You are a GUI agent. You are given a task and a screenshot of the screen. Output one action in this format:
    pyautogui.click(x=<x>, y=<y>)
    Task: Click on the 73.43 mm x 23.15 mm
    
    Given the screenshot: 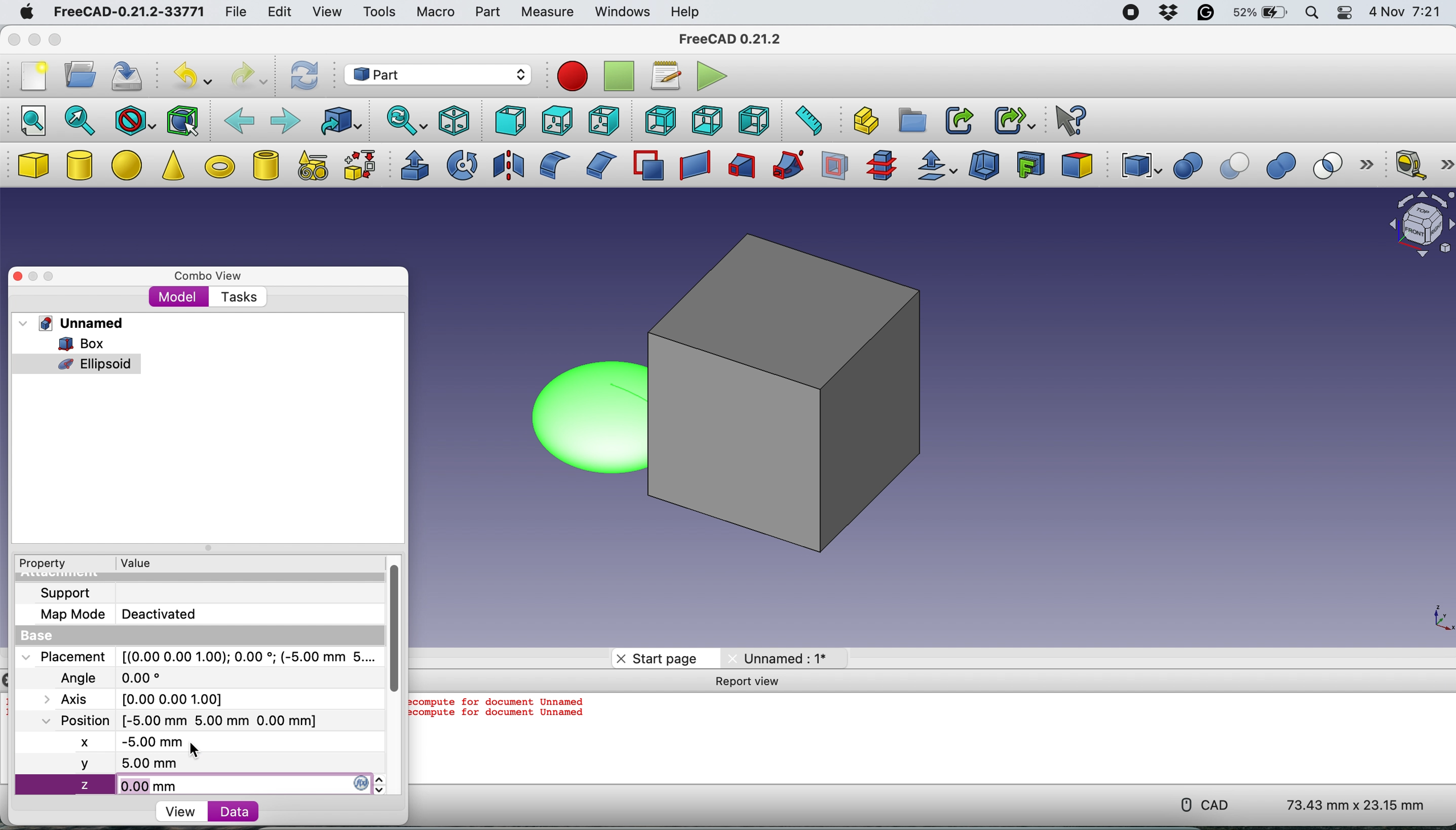 What is the action you would take?
    pyautogui.click(x=1357, y=806)
    